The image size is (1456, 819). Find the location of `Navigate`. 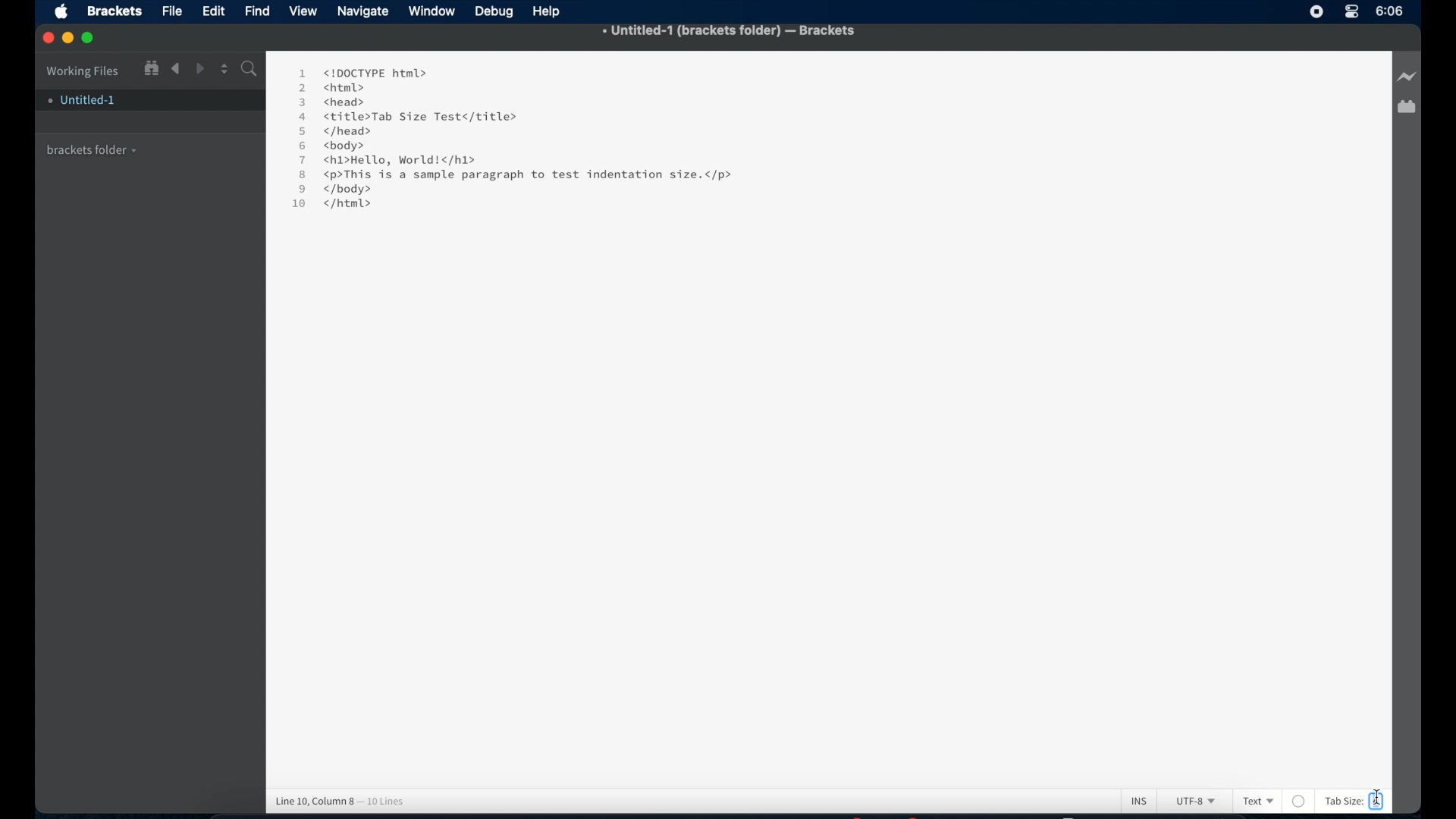

Navigate is located at coordinates (363, 13).